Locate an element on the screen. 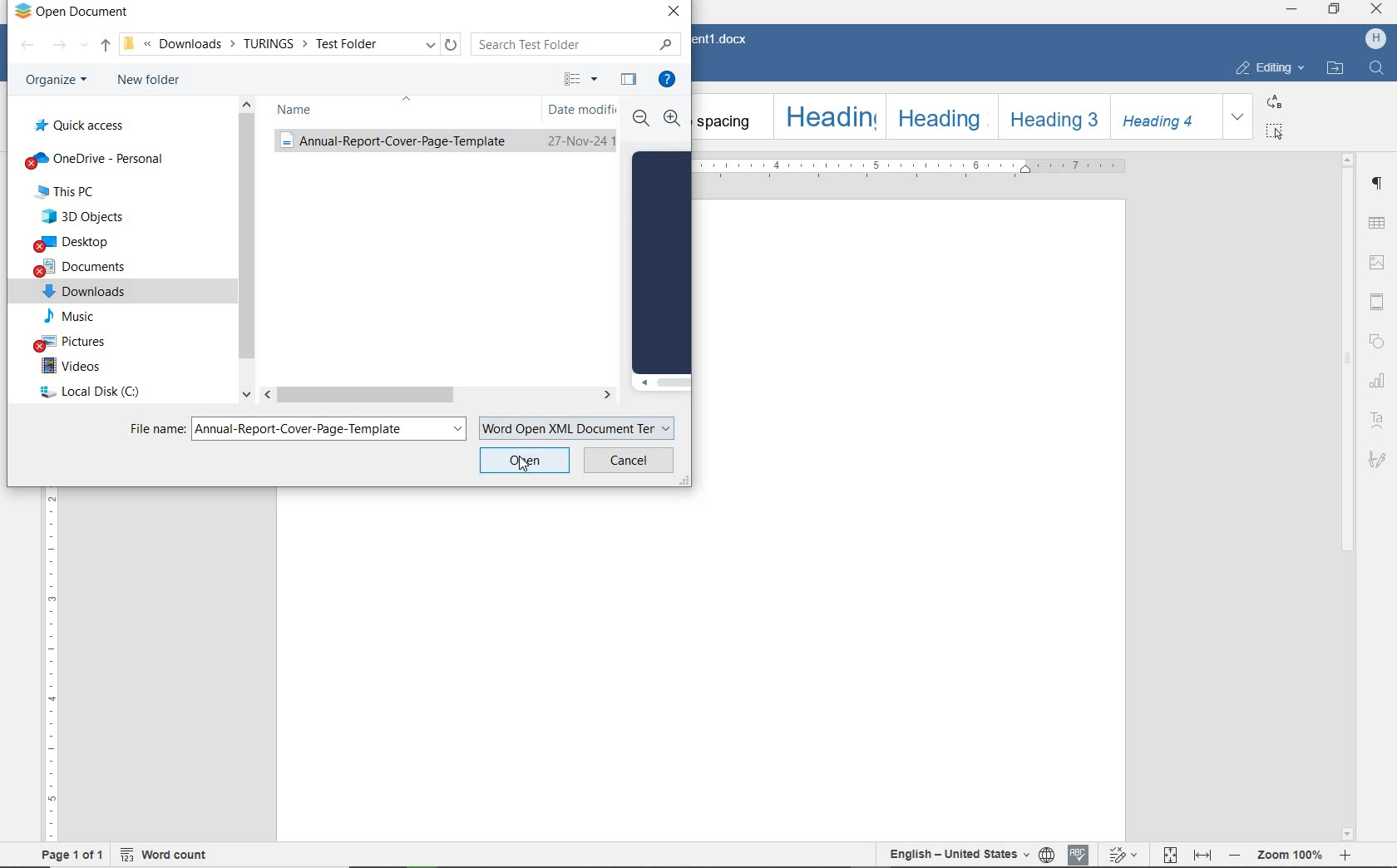  forward is located at coordinates (62, 46).